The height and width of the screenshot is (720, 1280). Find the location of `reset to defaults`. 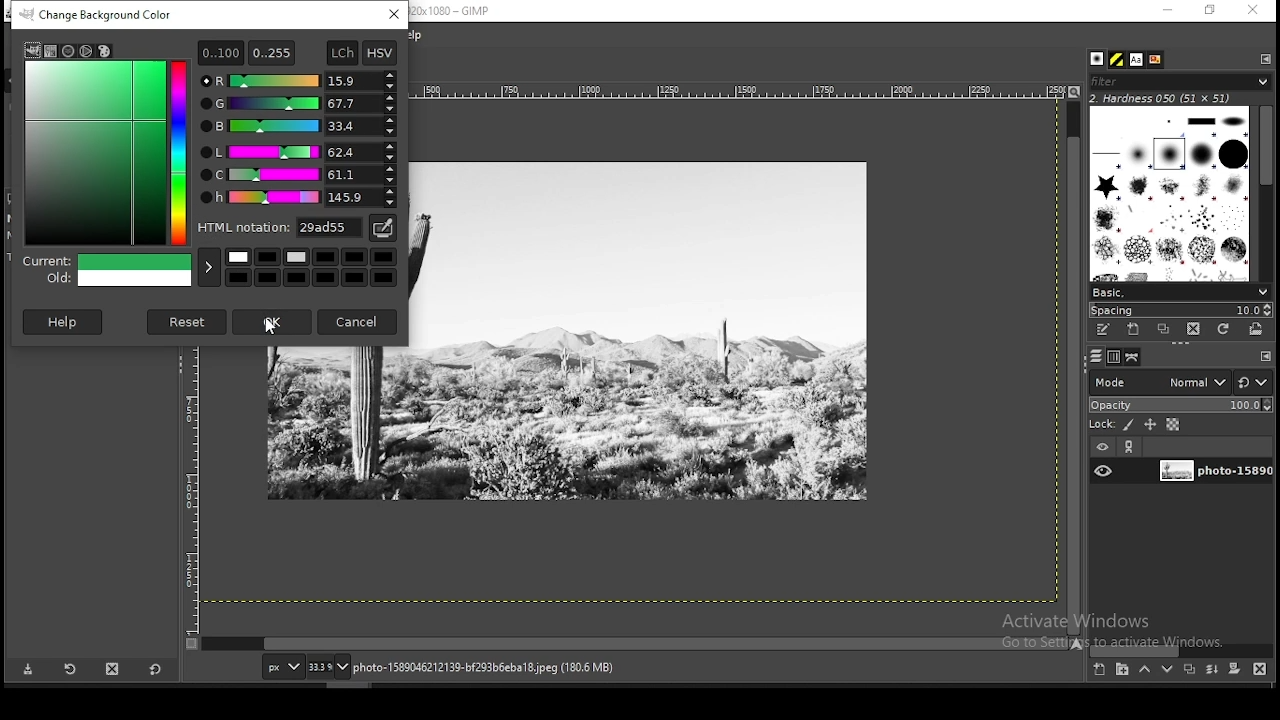

reset to defaults is located at coordinates (154, 669).